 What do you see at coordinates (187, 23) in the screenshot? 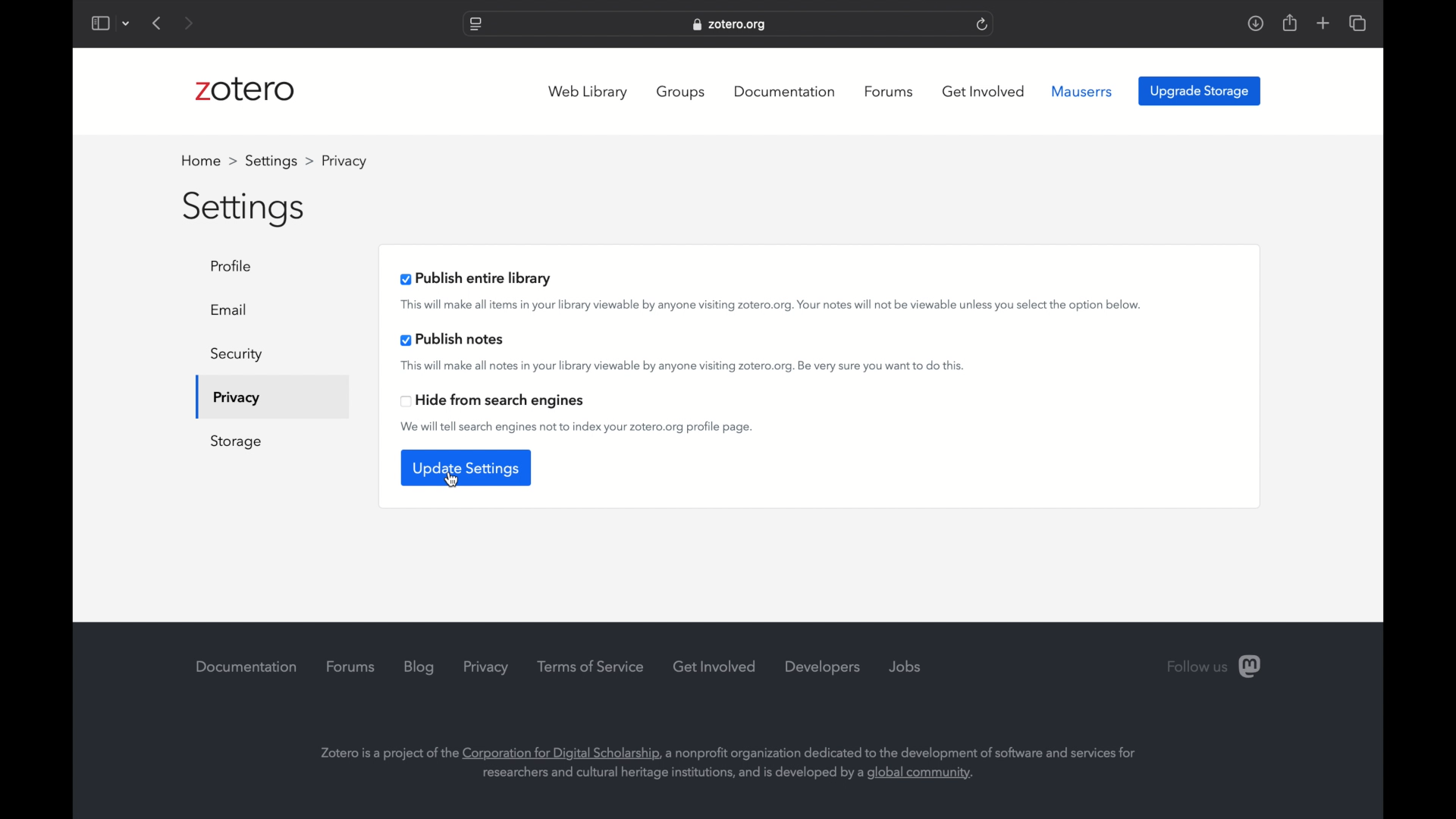
I see `next` at bounding box center [187, 23].